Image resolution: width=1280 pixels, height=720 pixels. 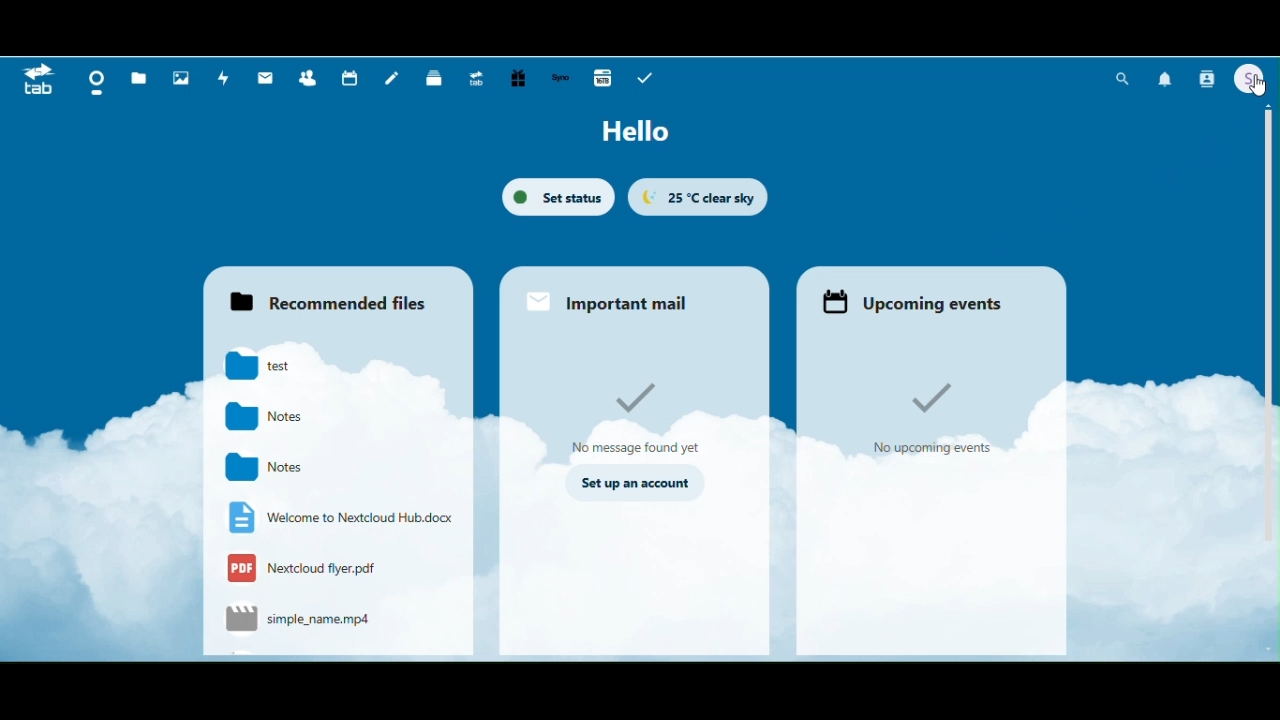 I want to click on Cursor, so click(x=1258, y=82).